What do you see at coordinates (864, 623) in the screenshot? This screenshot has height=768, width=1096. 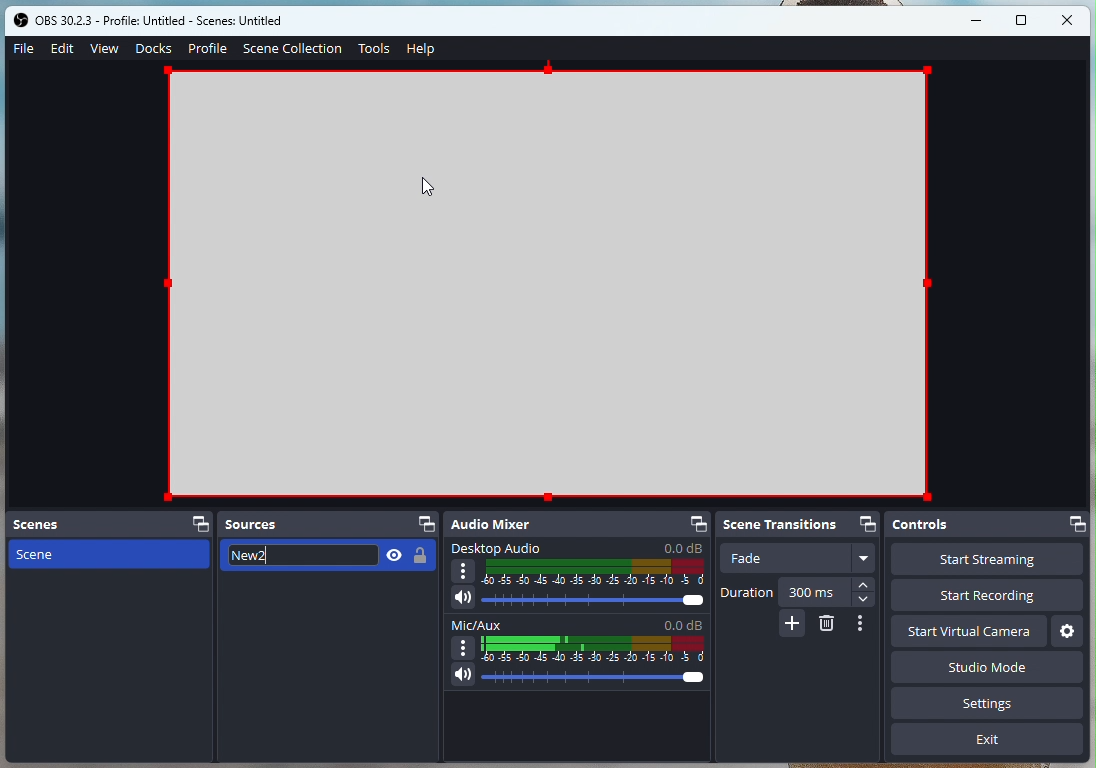 I see `Options` at bounding box center [864, 623].